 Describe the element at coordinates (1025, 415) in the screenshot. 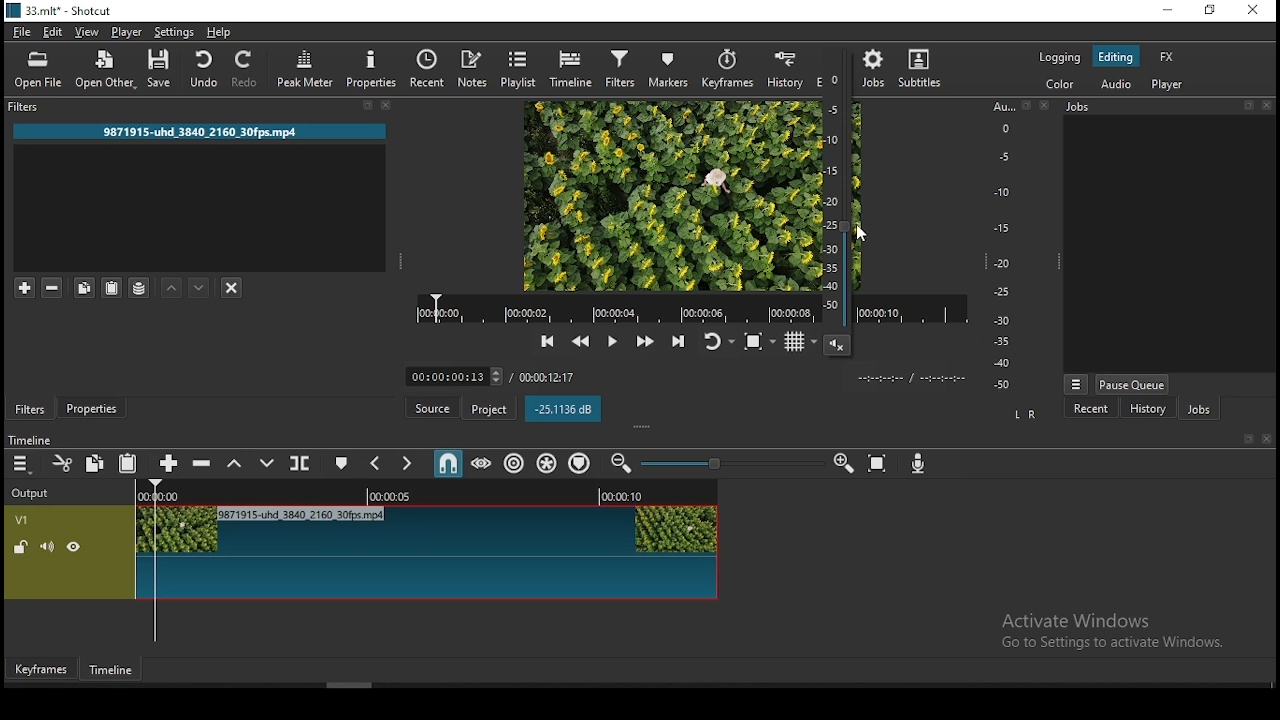

I see `L R` at that location.